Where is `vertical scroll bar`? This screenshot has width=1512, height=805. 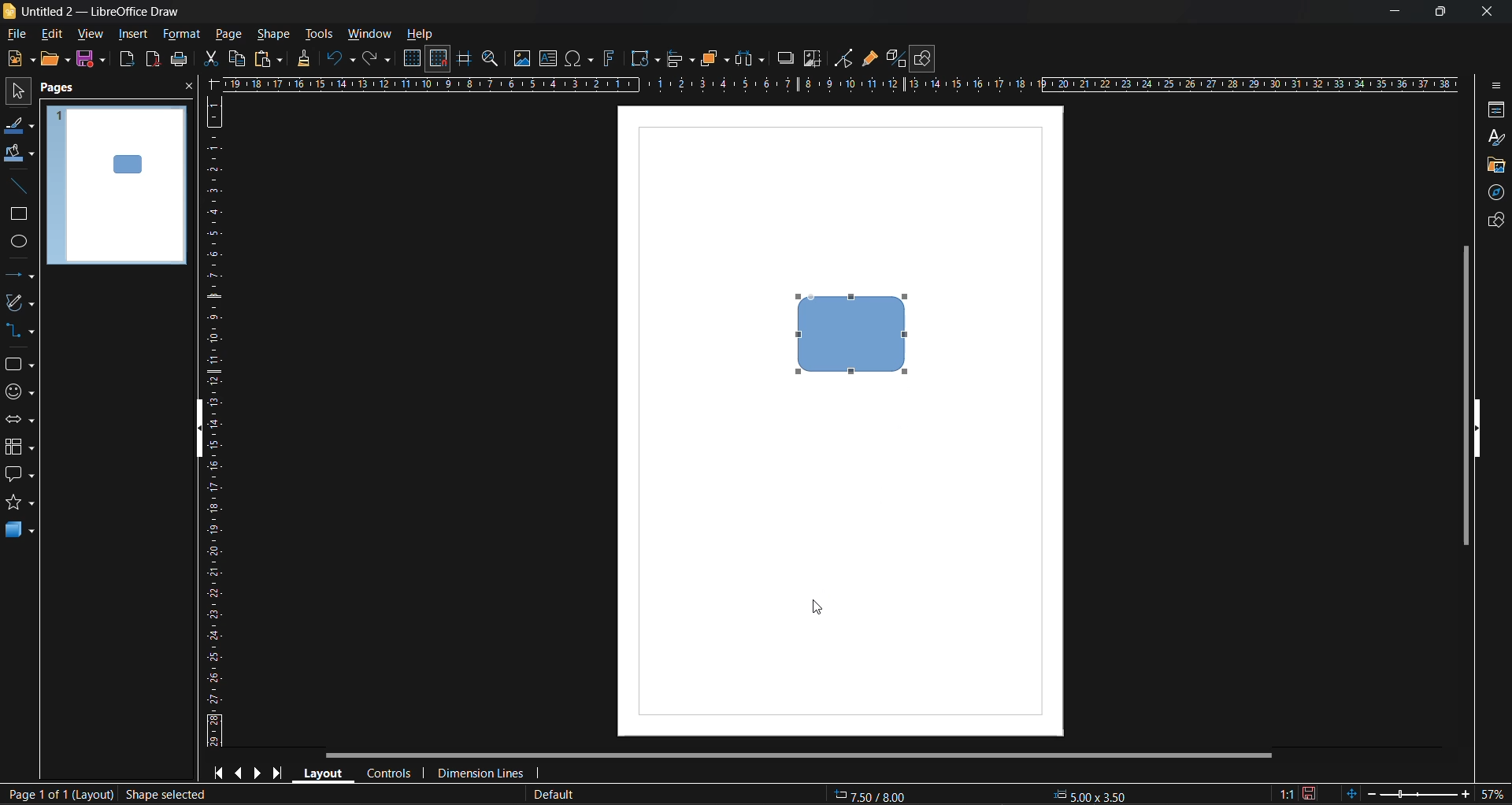
vertical scroll bar is located at coordinates (1462, 395).